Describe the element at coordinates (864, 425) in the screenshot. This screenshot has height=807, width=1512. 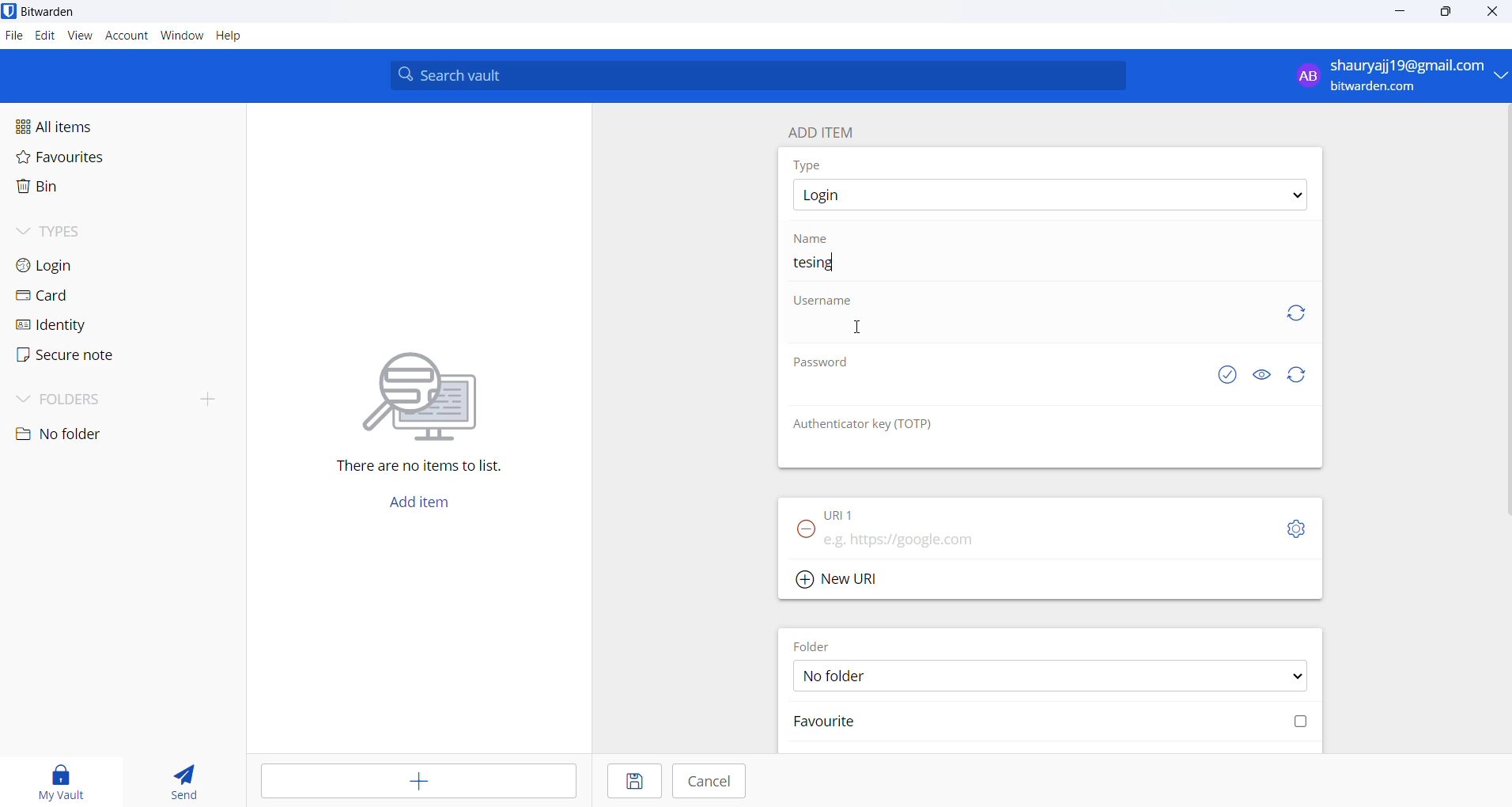
I see `Authenticator key(TOTP)` at that location.